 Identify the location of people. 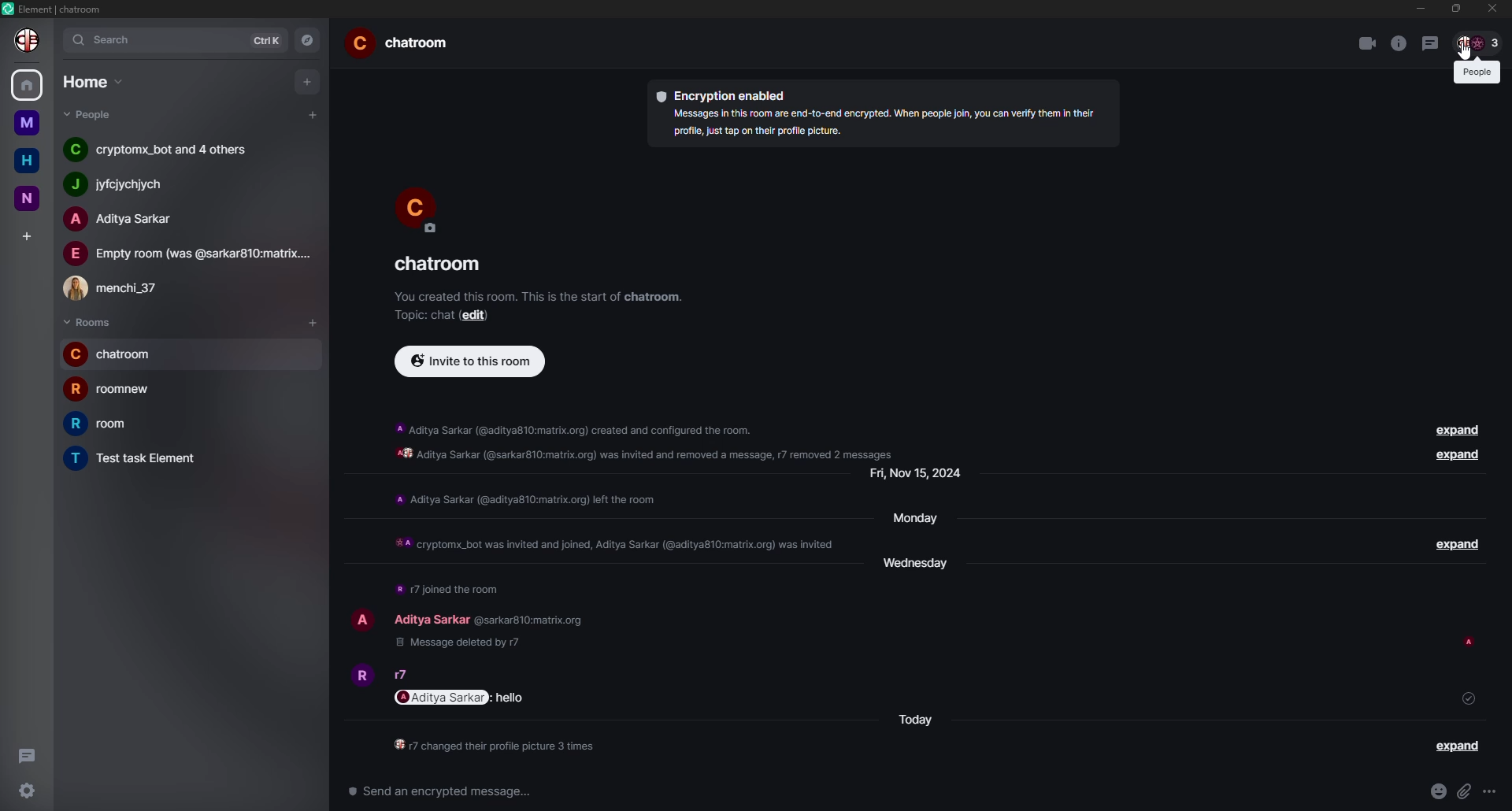
(1476, 71).